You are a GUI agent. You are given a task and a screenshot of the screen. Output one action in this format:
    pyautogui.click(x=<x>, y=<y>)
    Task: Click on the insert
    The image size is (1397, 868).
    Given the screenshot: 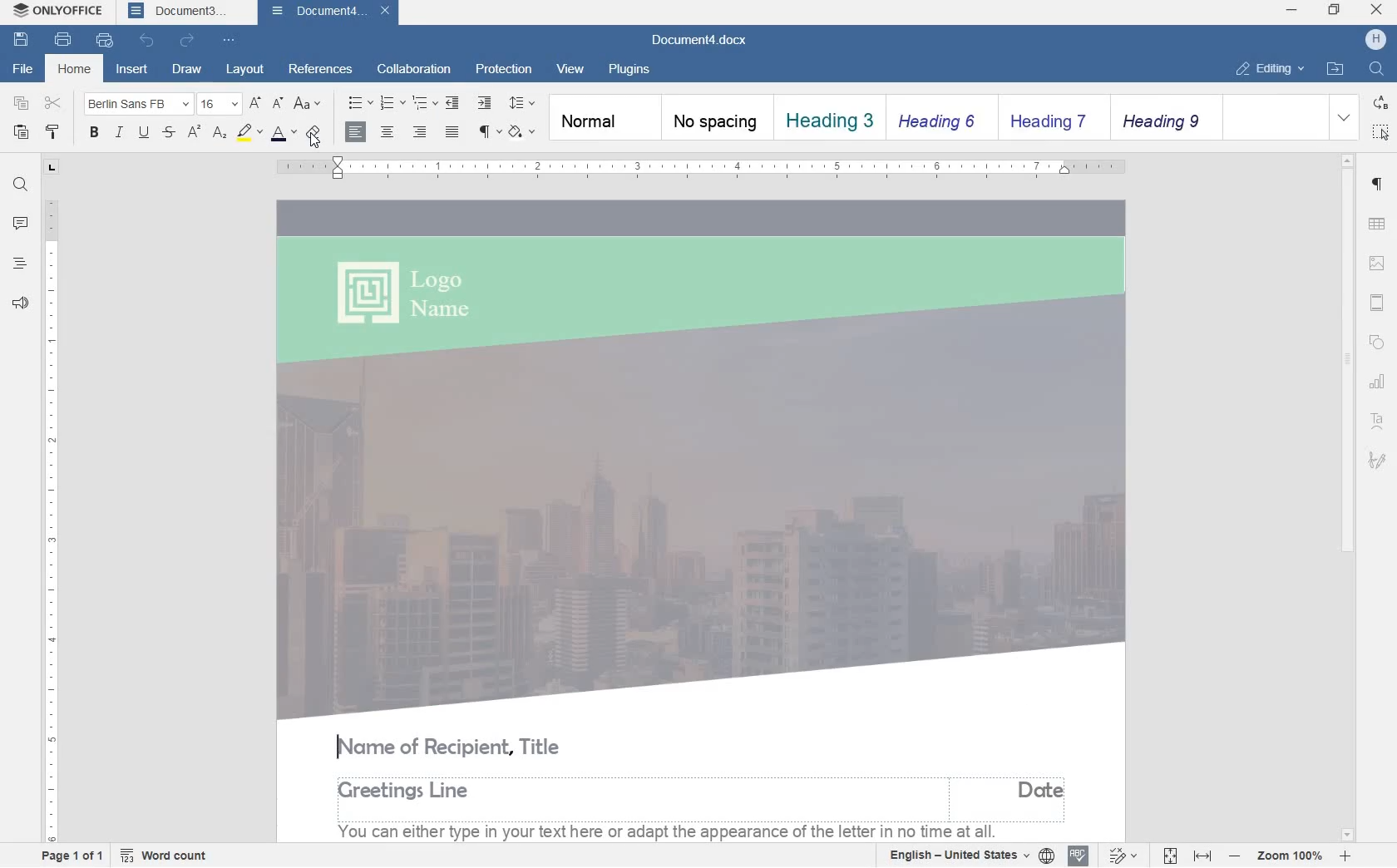 What is the action you would take?
    pyautogui.click(x=131, y=68)
    